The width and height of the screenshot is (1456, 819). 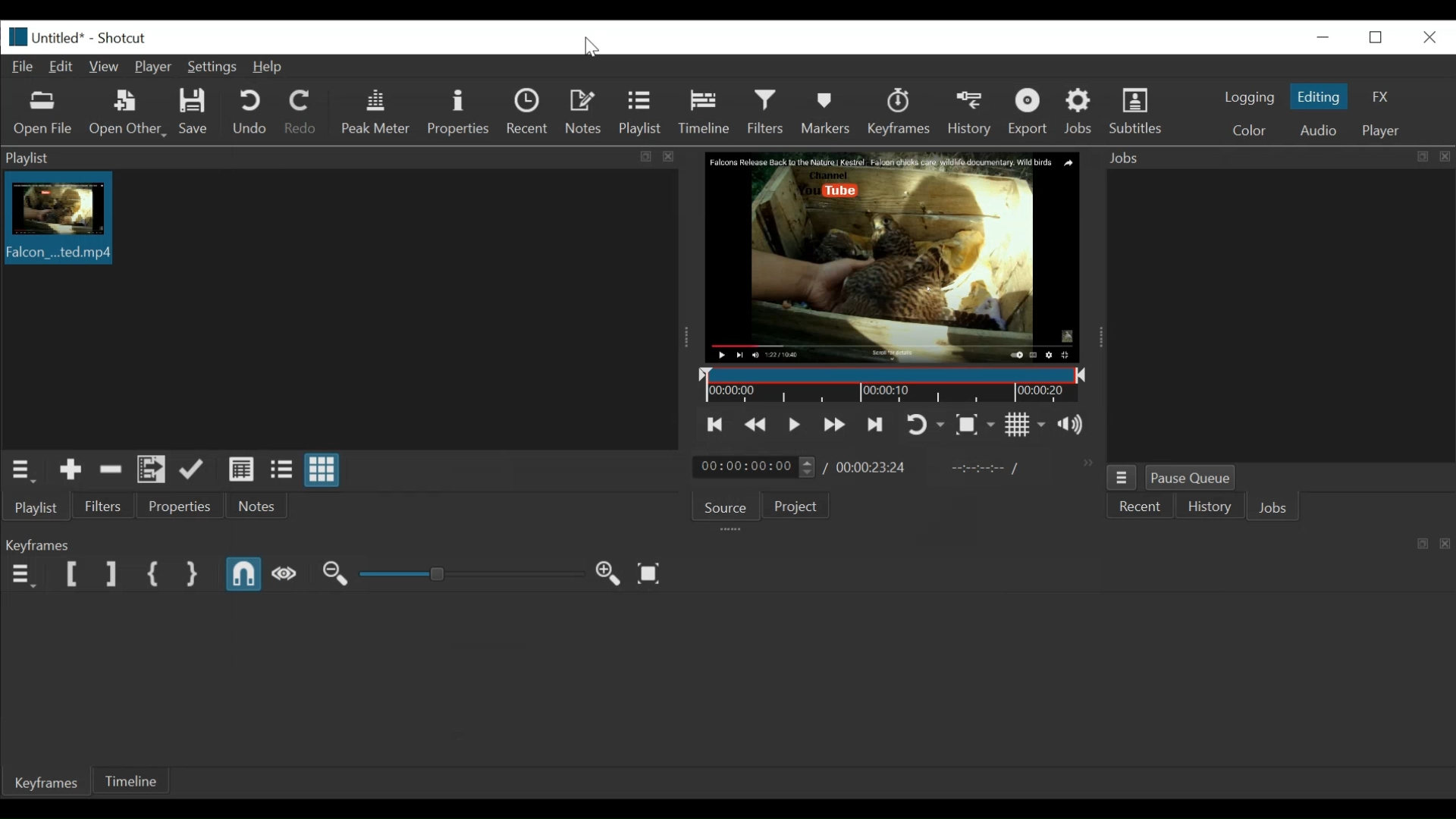 What do you see at coordinates (249, 113) in the screenshot?
I see `Undo` at bounding box center [249, 113].